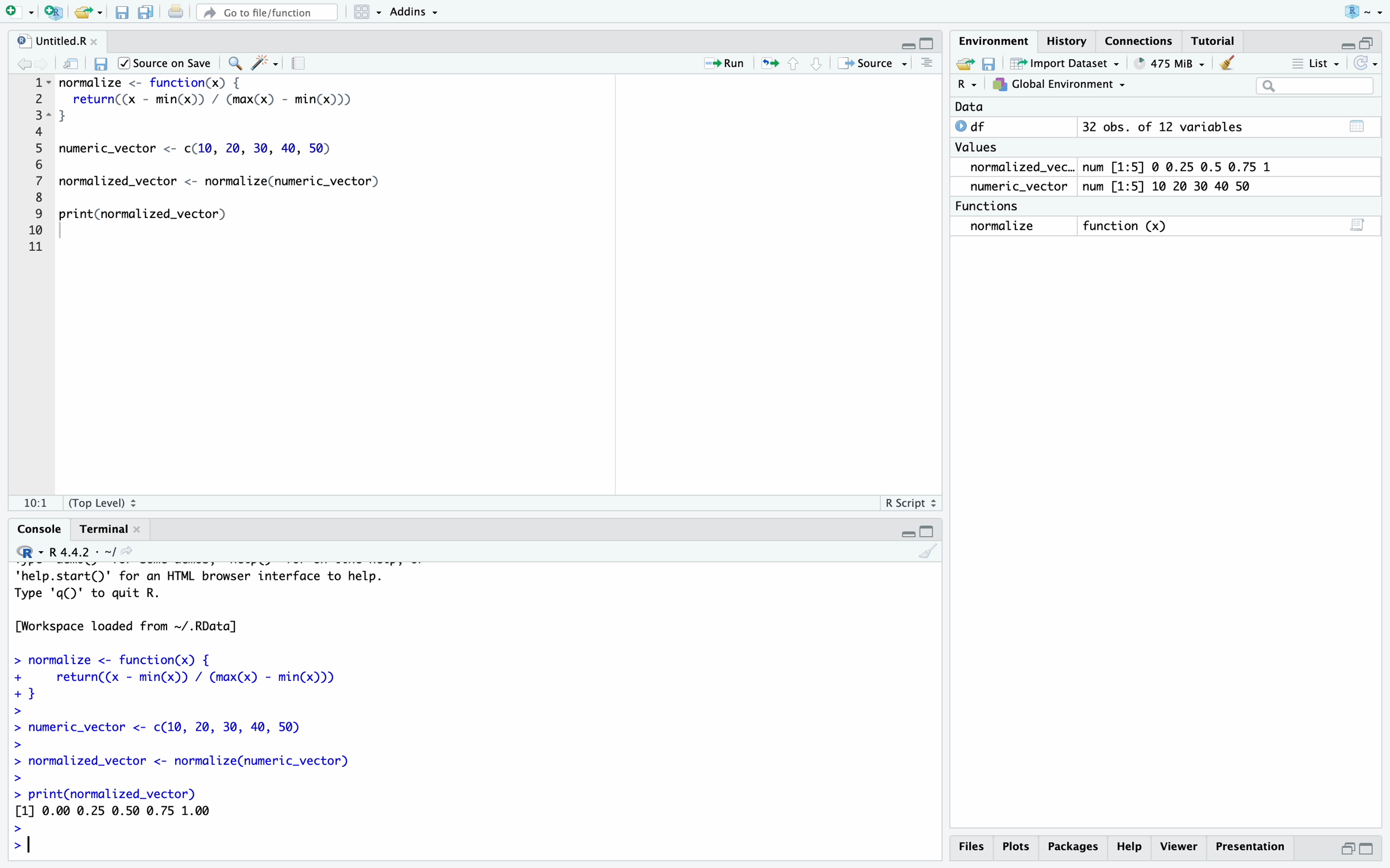 The width and height of the screenshot is (1390, 868). I want to click on R 1s free software and comes with ABSOLUTELY NO WARRANTY.

You are welcome to redistribute it under certain conditions.

Type 'license()' or 'licence()' for distribution details.
Natural language support but running in an English locale

R is a collaborative project with many contributors.

Type 'contributors()' for more information and

'citation()' on how to cite R or R packages in publications.

Type 'demo()' for some demos, 'help()' for on-line help, or

'help.start()' for an HTML browser interface to help.

Type 'q()' to quit R.

[Workspace loaded from ~/.RData], so click(267, 695).